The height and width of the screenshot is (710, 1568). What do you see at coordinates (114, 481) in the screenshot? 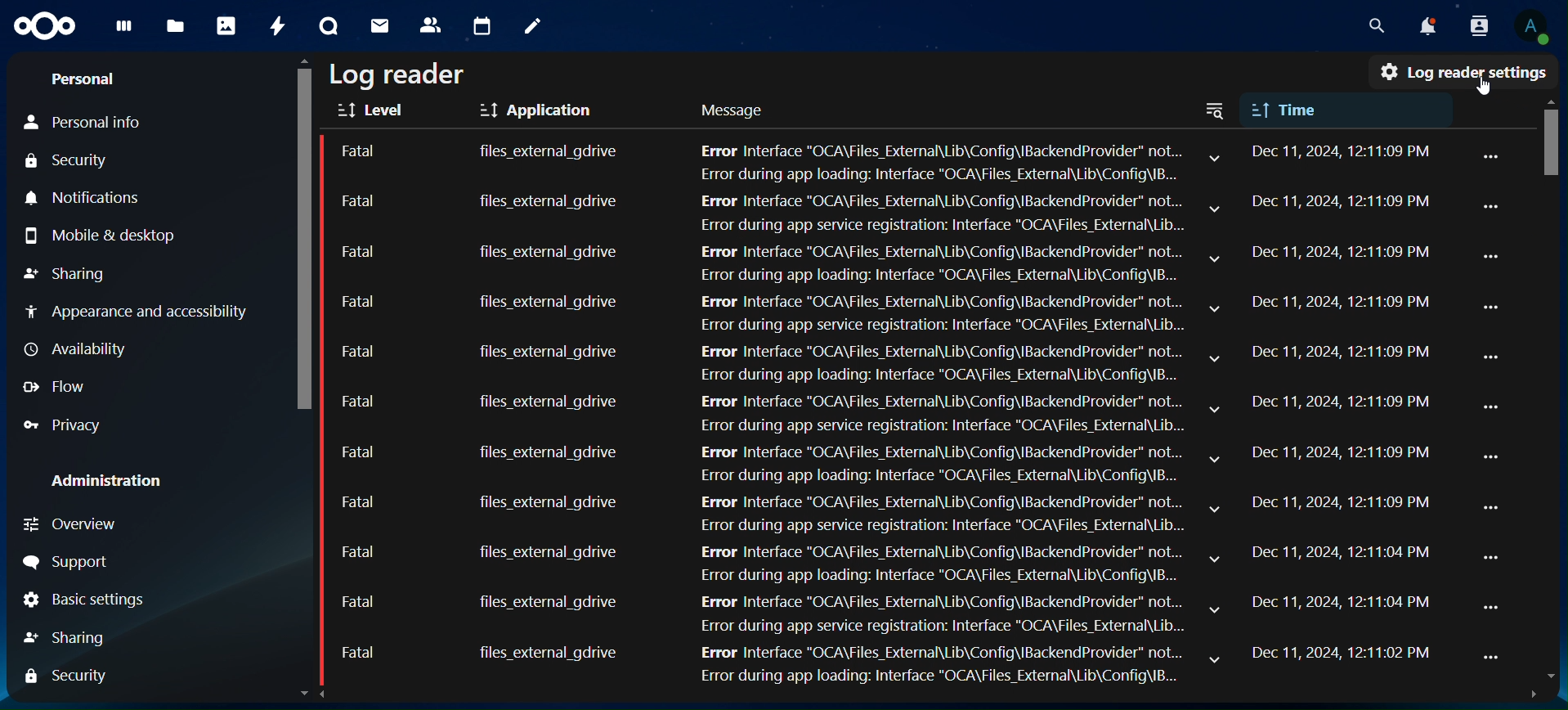
I see `administration` at bounding box center [114, 481].